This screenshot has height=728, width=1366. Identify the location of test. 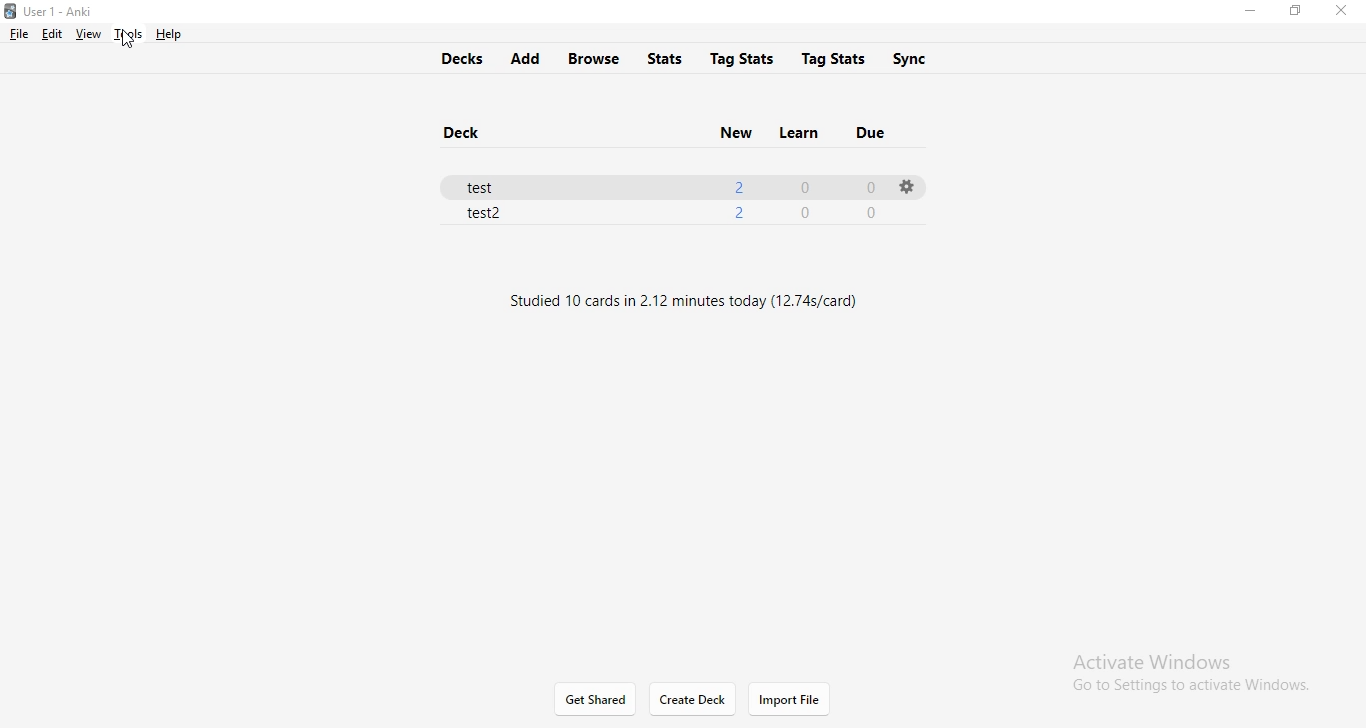
(489, 184).